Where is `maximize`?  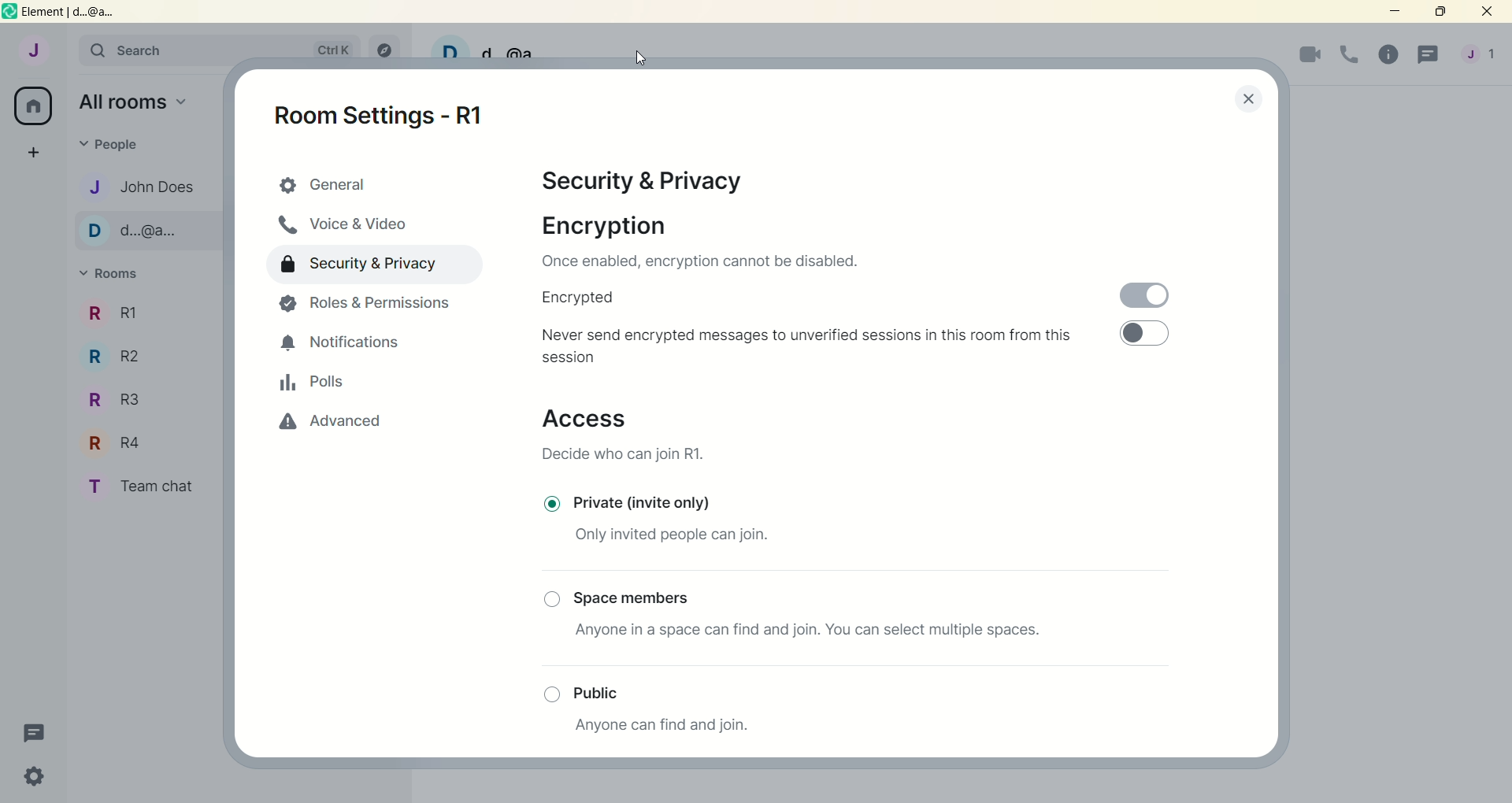 maximize is located at coordinates (1439, 13).